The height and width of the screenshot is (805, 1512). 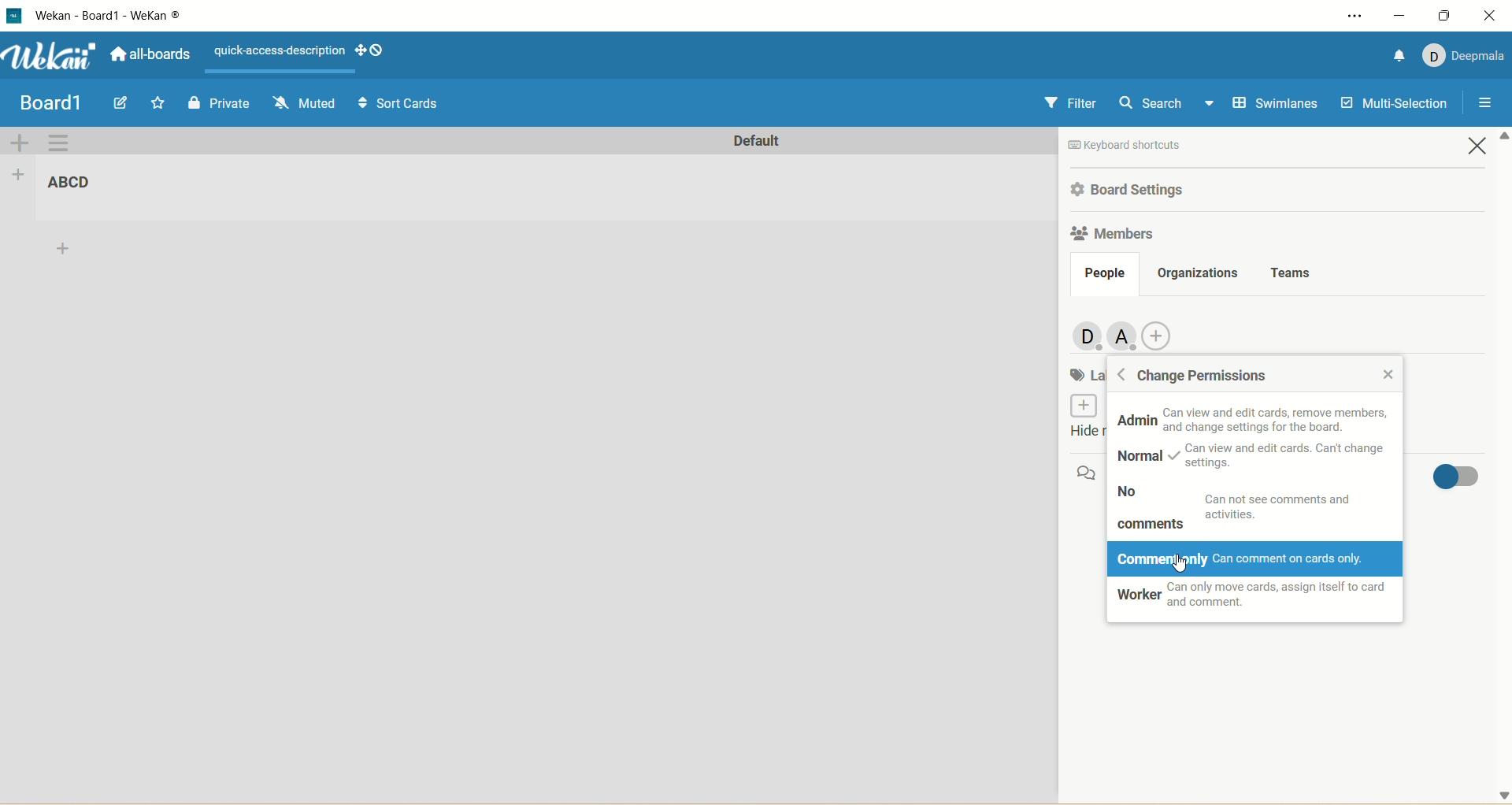 I want to click on wekan-wekan, so click(x=108, y=16).